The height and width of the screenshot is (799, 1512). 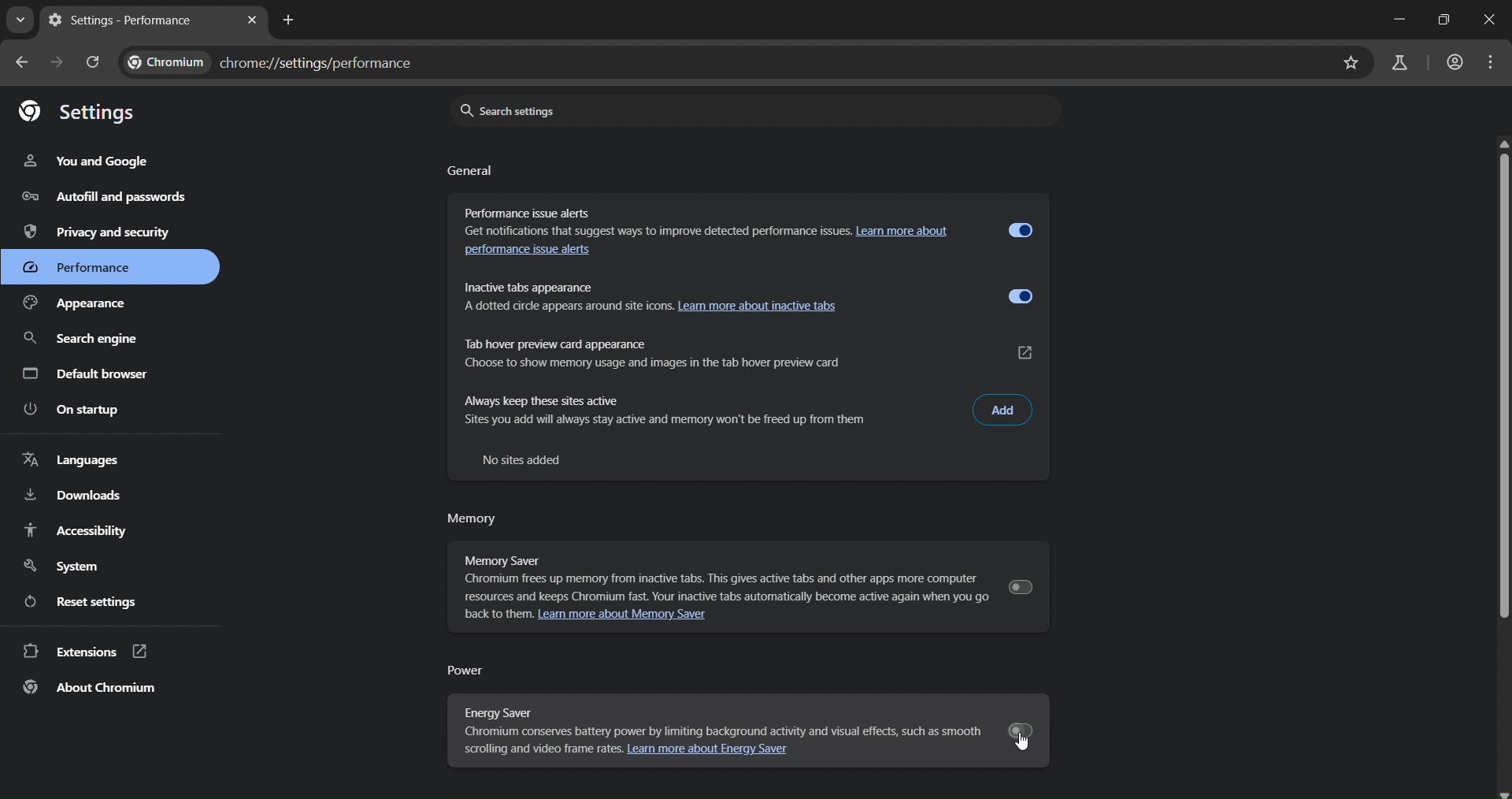 What do you see at coordinates (87, 304) in the screenshot?
I see `appearance` at bounding box center [87, 304].